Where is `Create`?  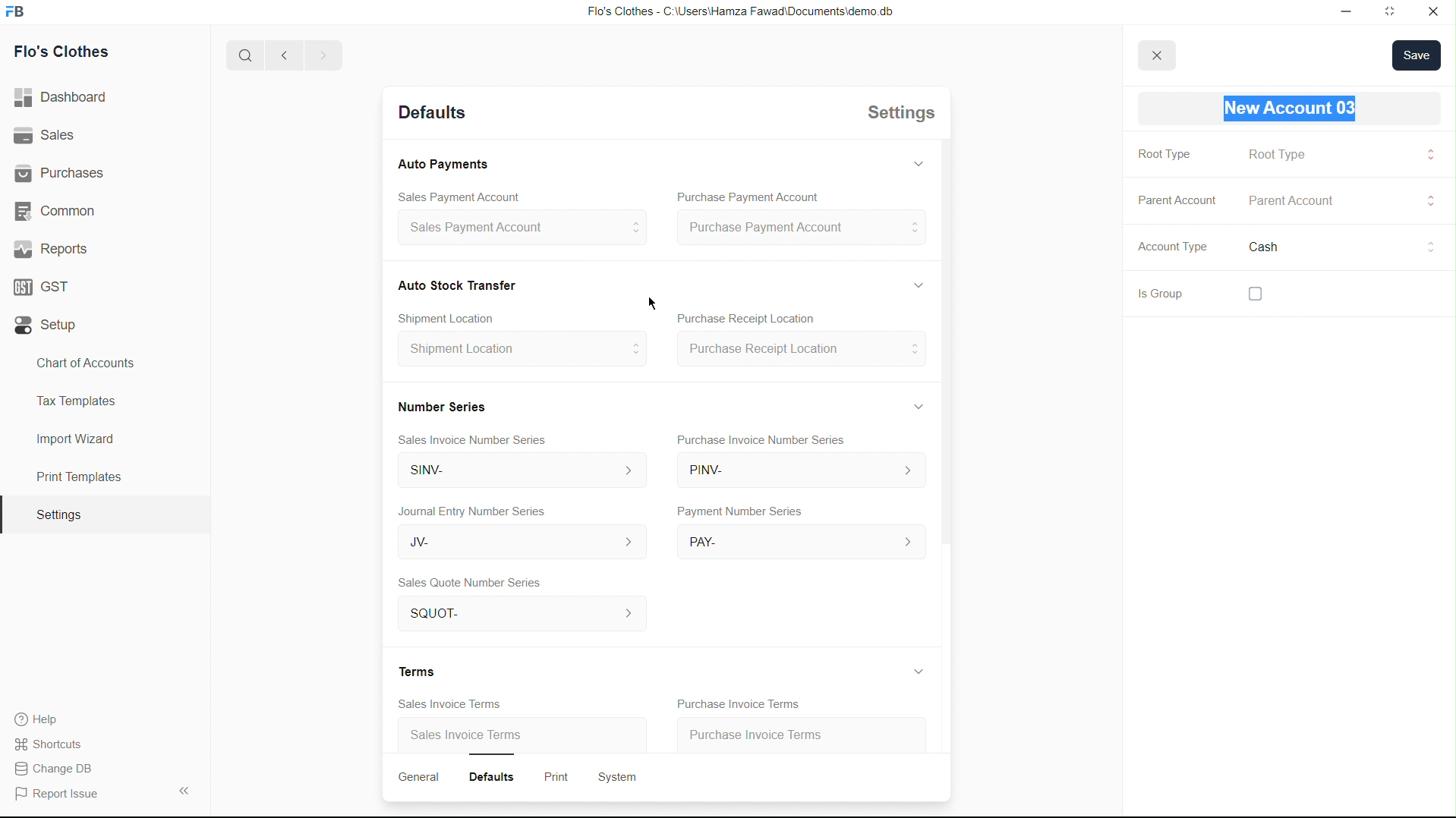
Create is located at coordinates (456, 315).